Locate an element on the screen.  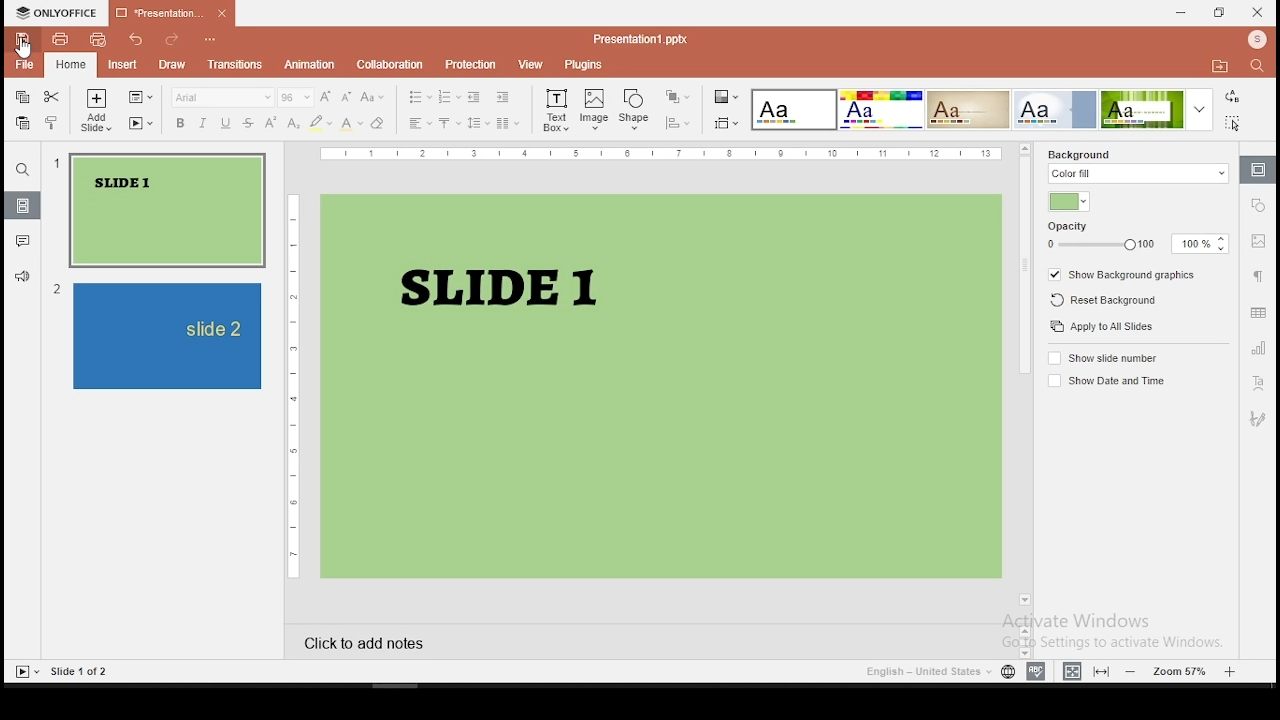
font color is located at coordinates (352, 123).